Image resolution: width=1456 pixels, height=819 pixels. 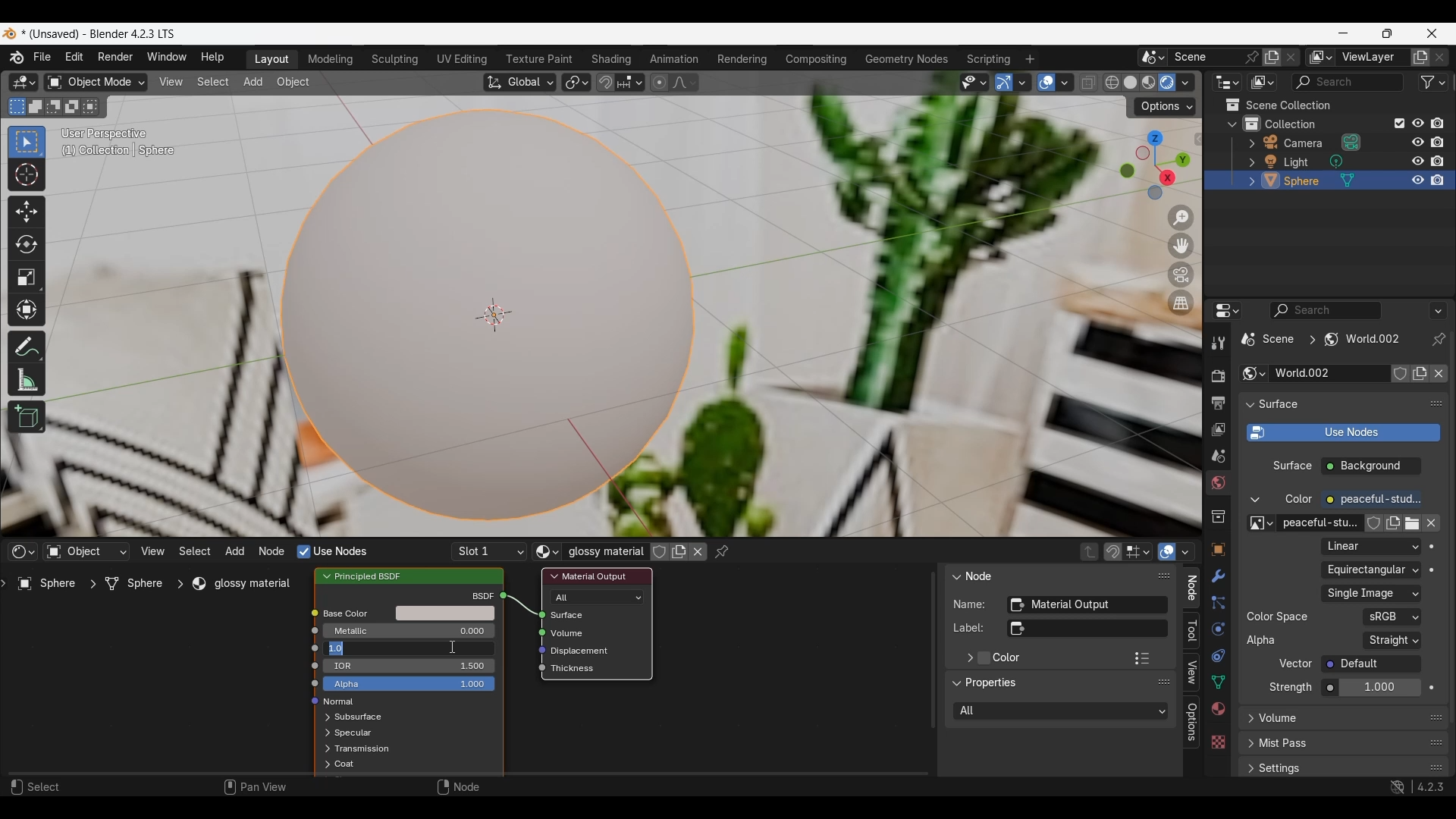 I want to click on Strength of the emitted light, so click(x=1371, y=688).